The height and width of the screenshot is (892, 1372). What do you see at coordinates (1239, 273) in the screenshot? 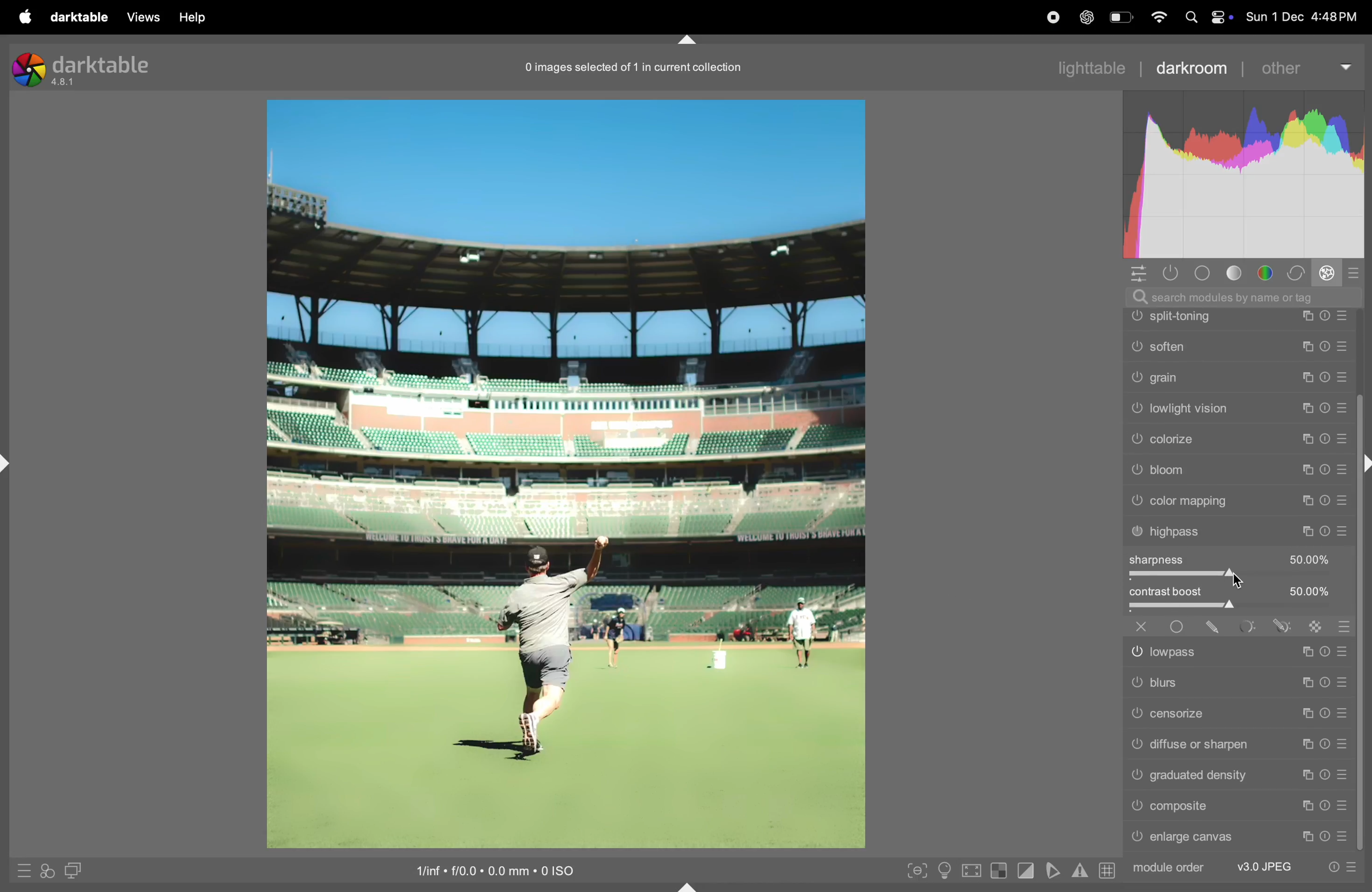
I see `tone` at bounding box center [1239, 273].